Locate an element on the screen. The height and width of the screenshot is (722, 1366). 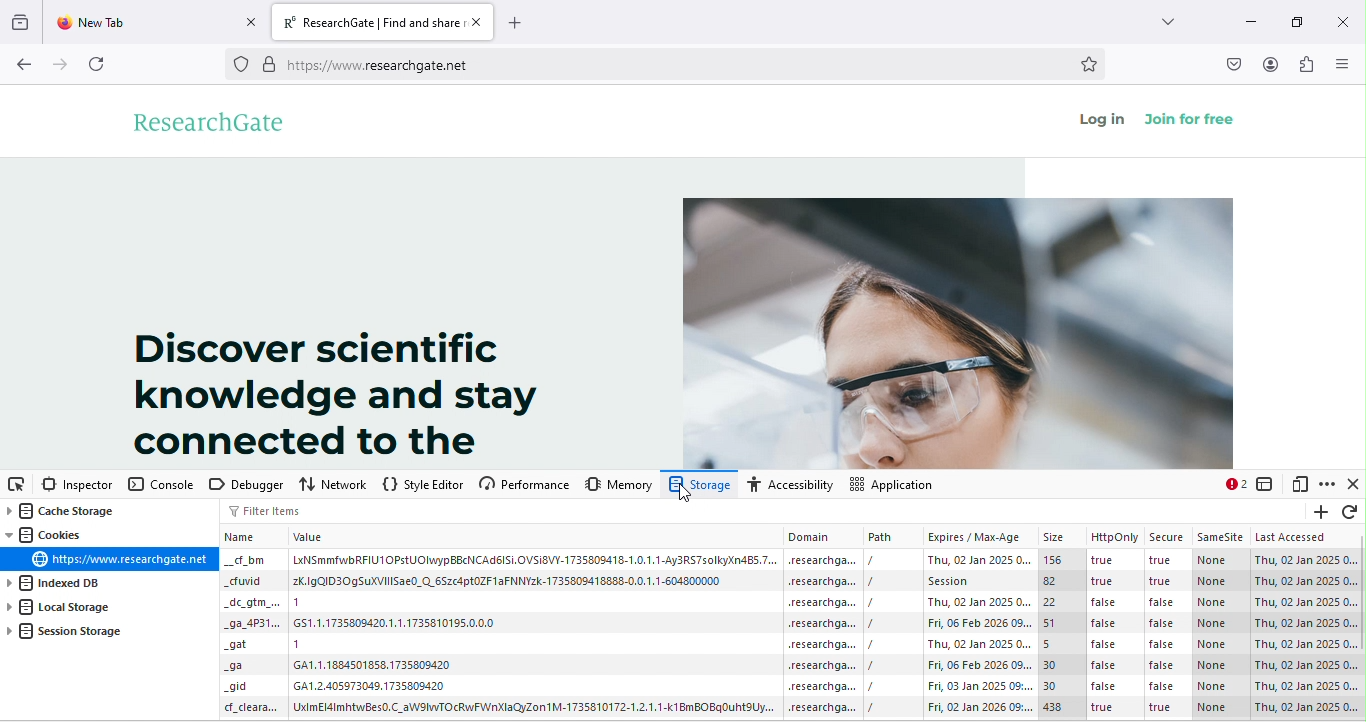
https://www.researchgate.net is located at coordinates (675, 63).